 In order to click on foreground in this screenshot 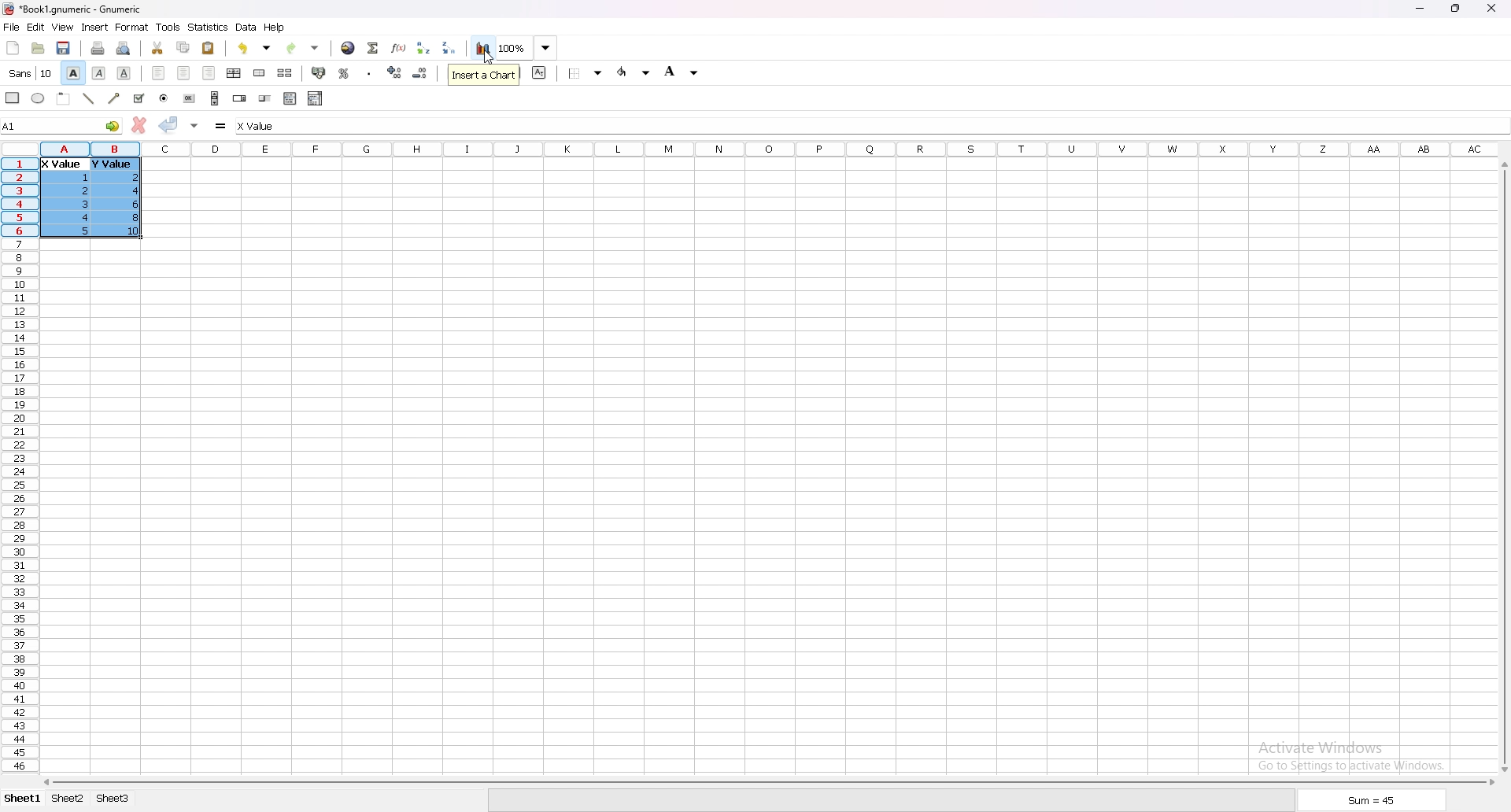, I will do `click(635, 72)`.